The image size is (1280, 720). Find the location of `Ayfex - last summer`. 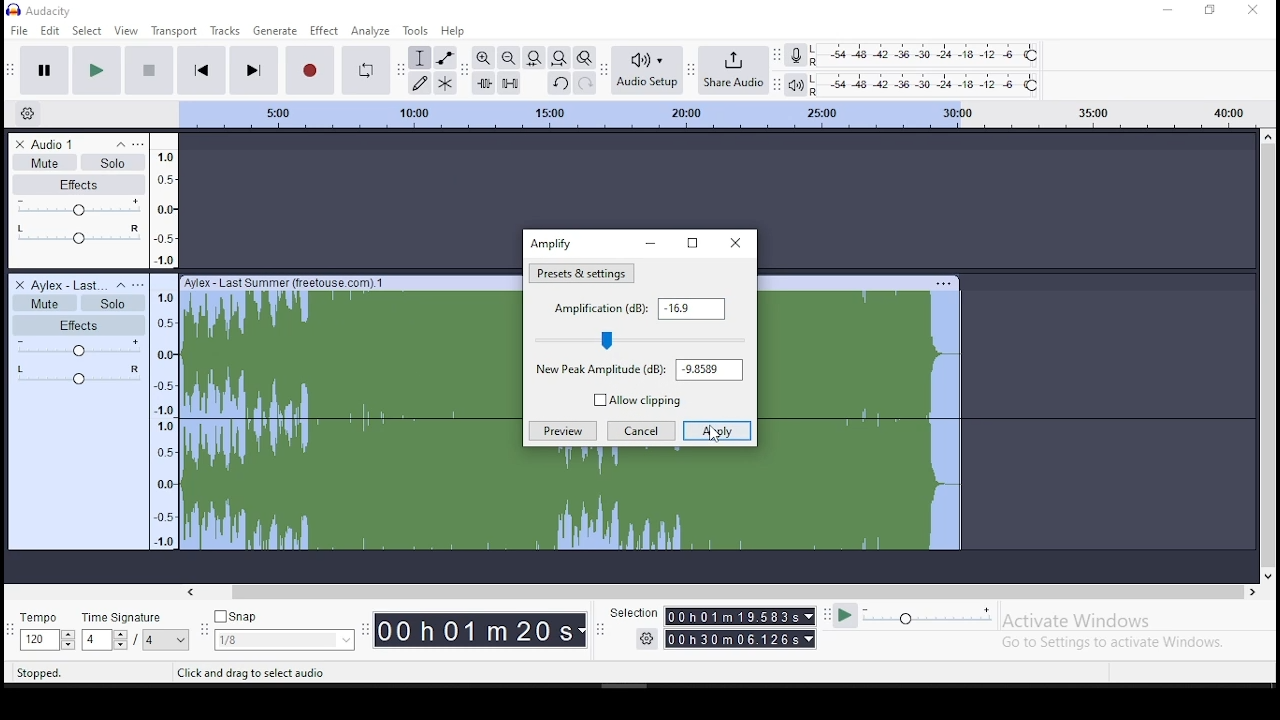

Ayfex - last summer is located at coordinates (283, 285).